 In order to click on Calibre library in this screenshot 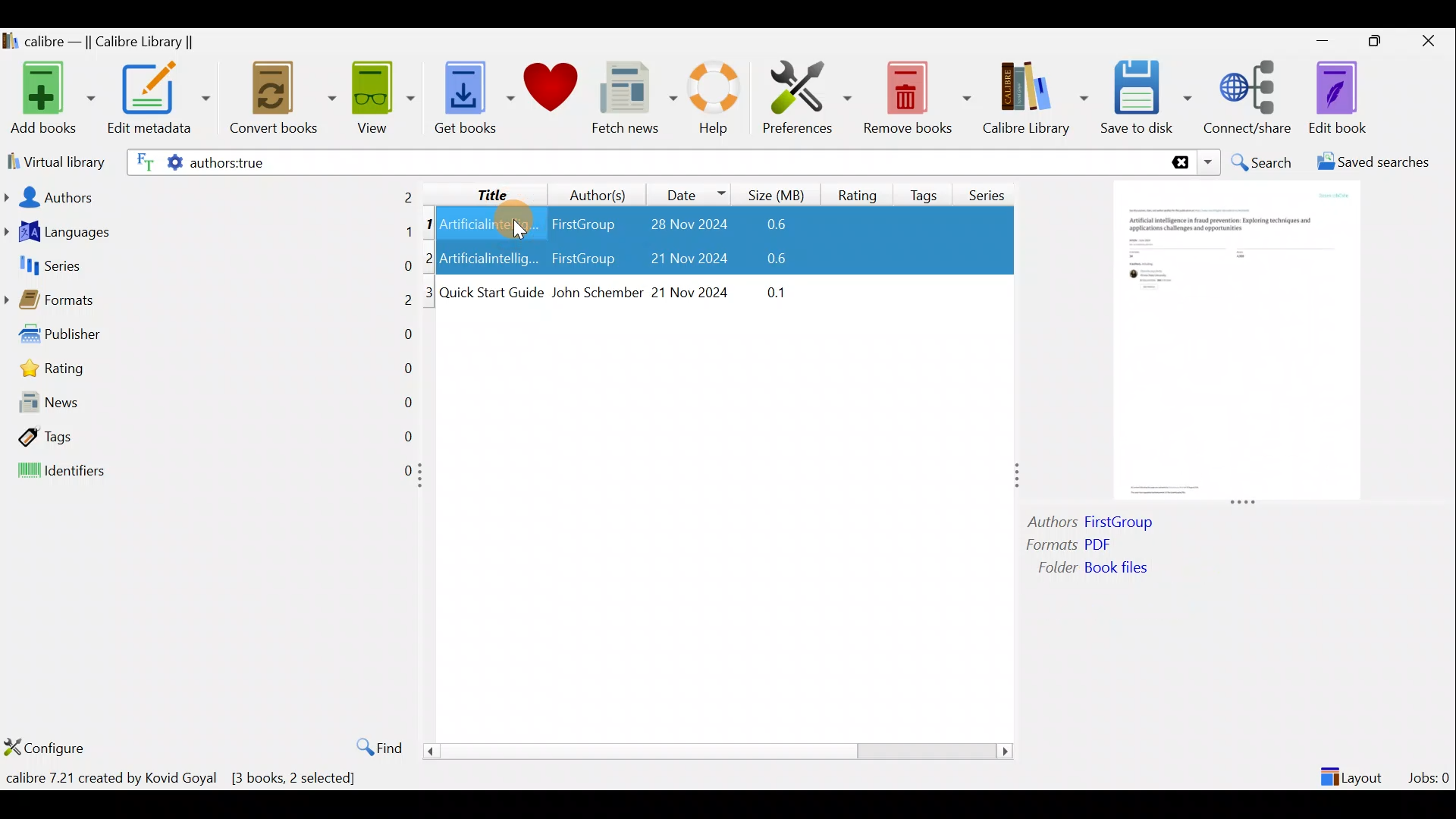, I will do `click(1034, 95)`.